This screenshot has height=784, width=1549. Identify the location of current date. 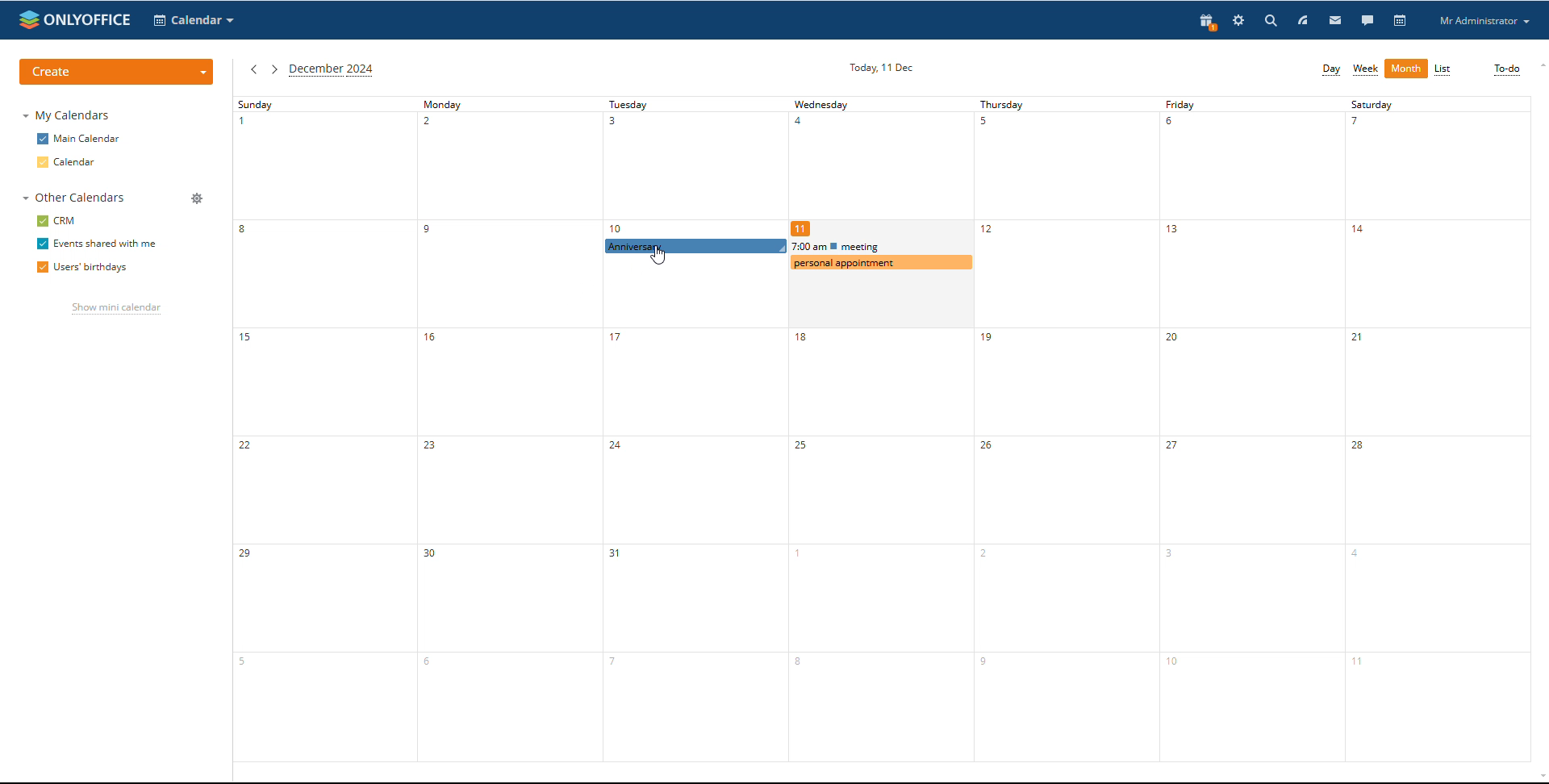
(880, 68).